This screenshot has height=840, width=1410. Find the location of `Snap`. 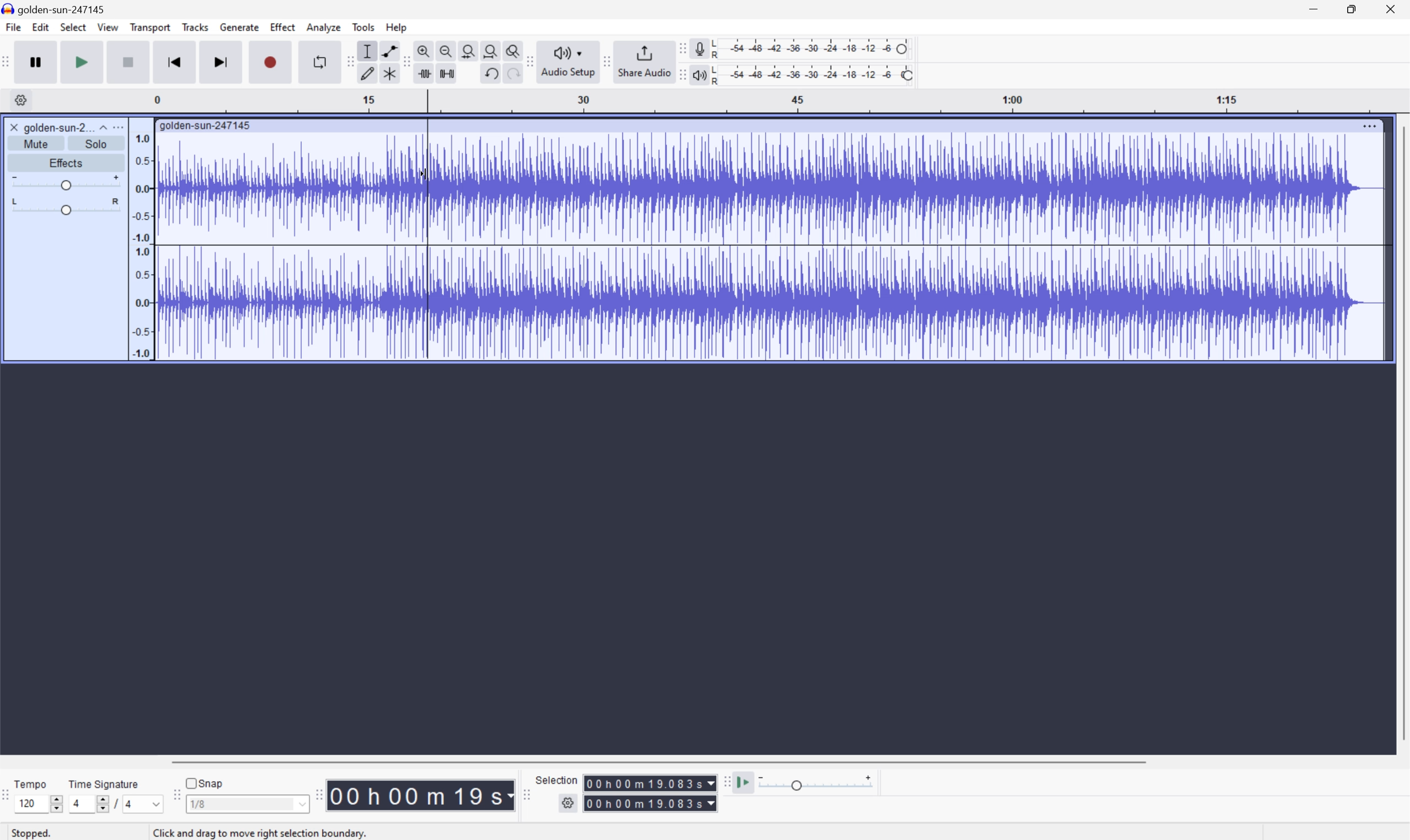

Snap is located at coordinates (204, 781).